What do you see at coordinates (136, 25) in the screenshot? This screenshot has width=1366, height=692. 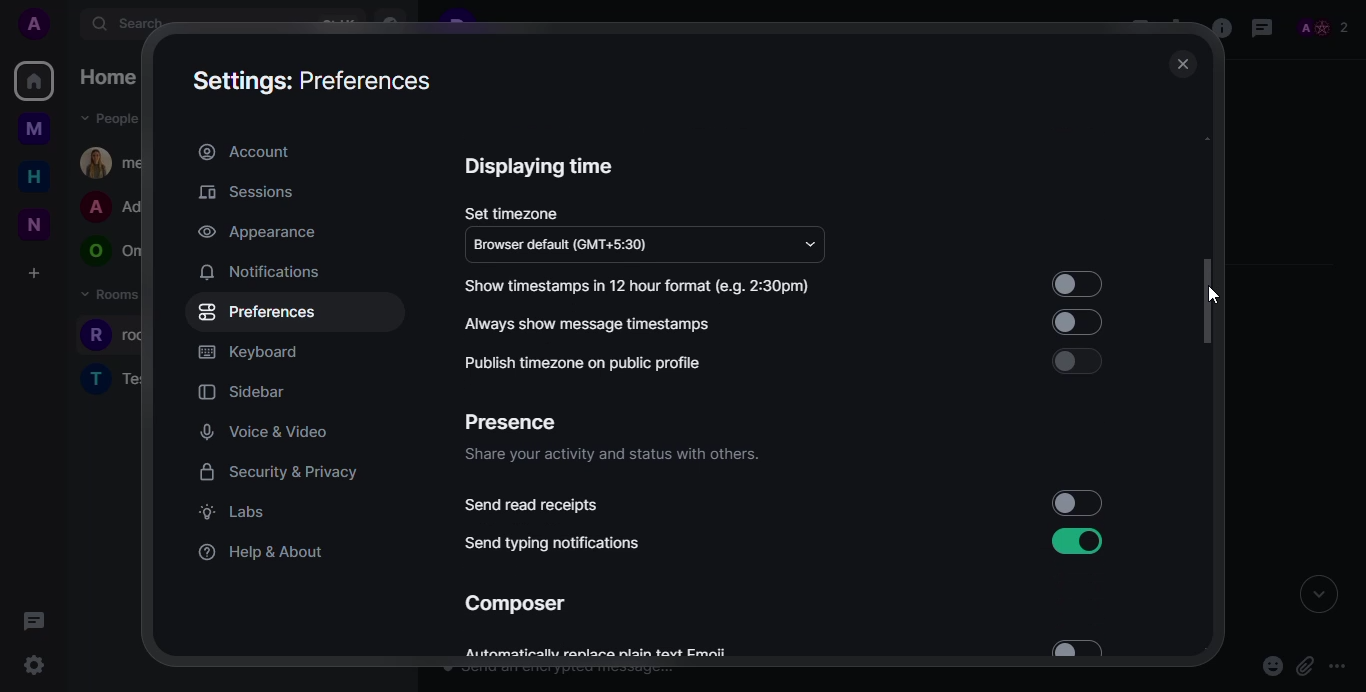 I see `search` at bounding box center [136, 25].